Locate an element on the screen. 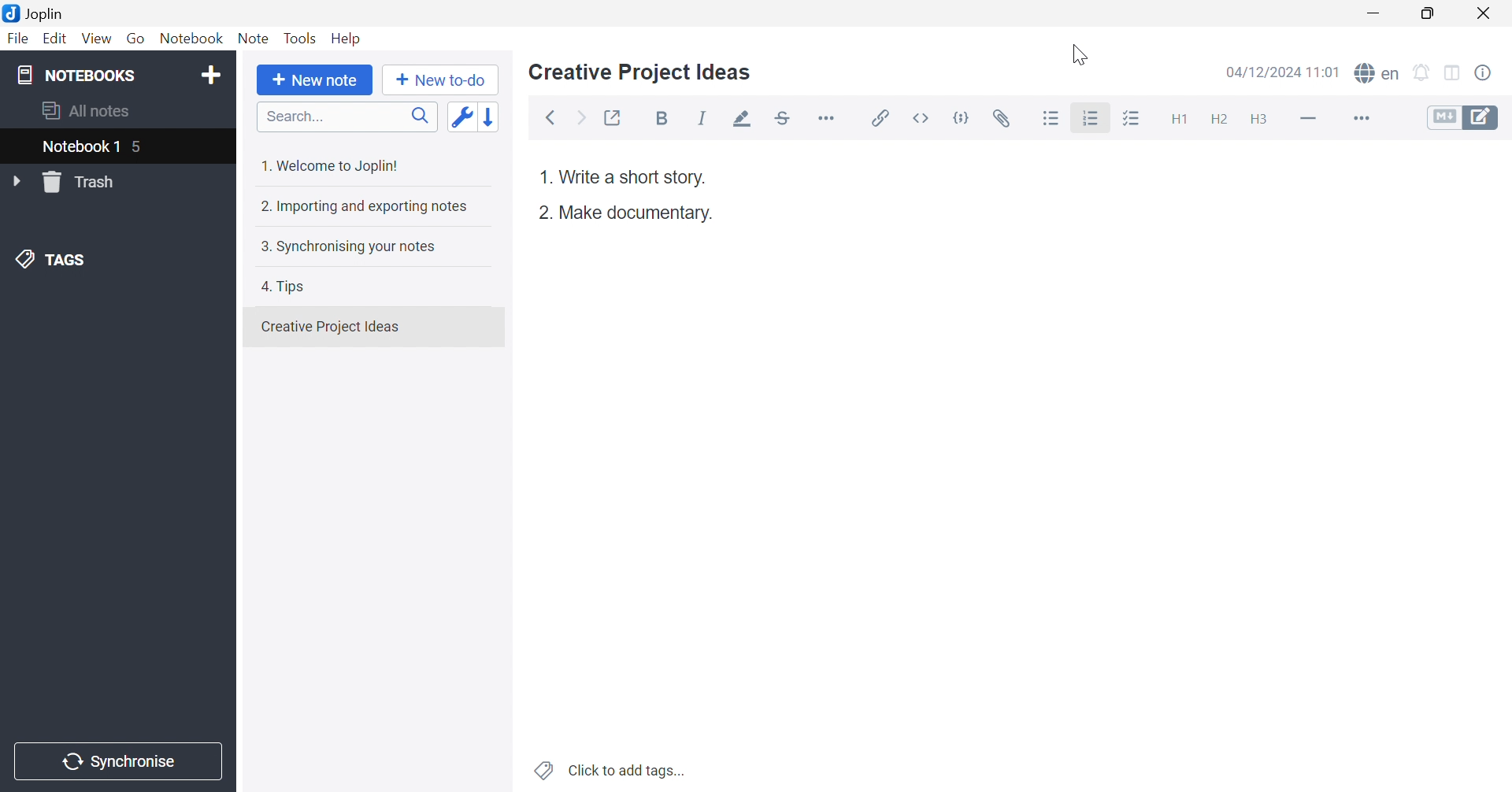  More is located at coordinates (1363, 120).